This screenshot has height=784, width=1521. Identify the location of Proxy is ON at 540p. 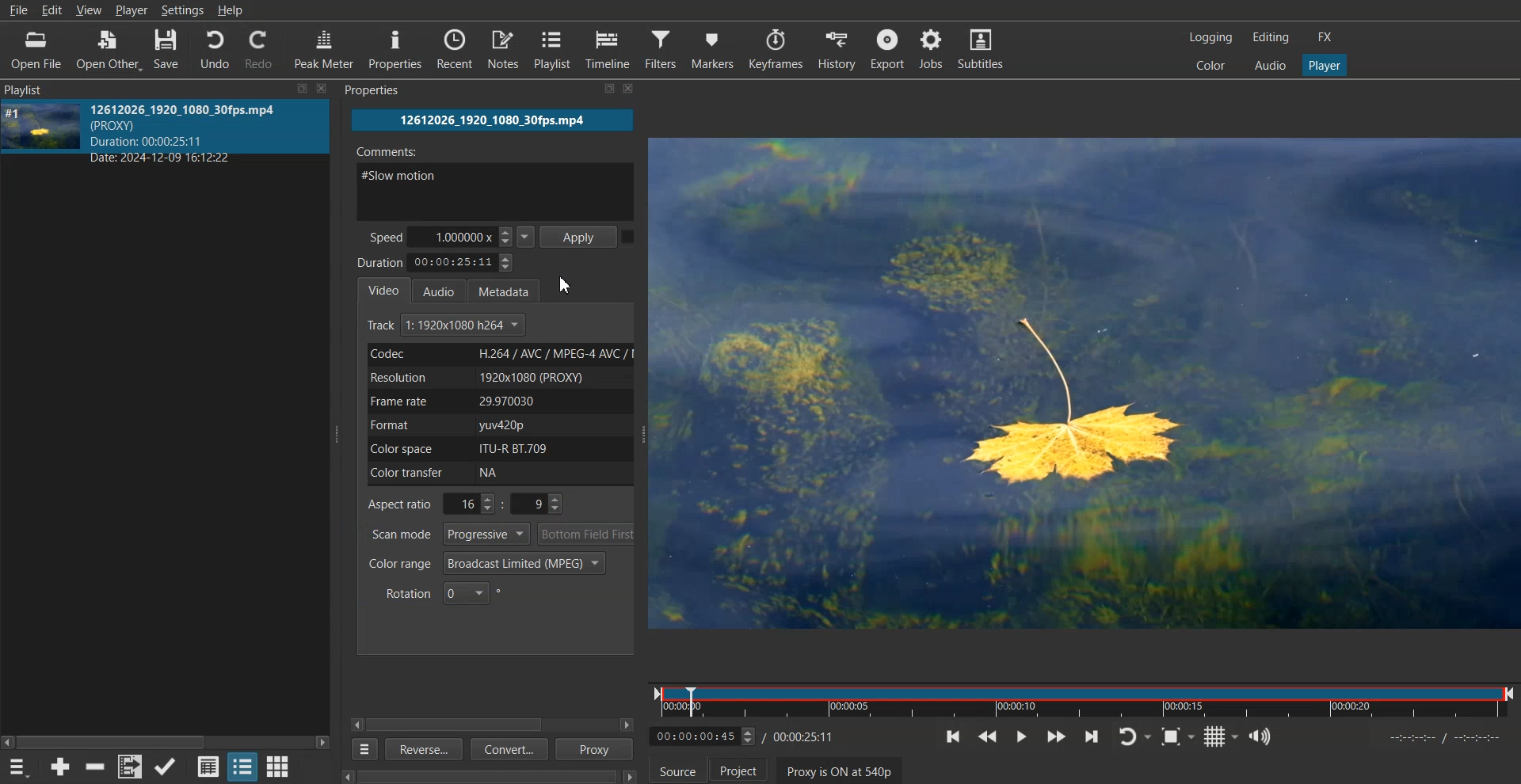
(840, 770).